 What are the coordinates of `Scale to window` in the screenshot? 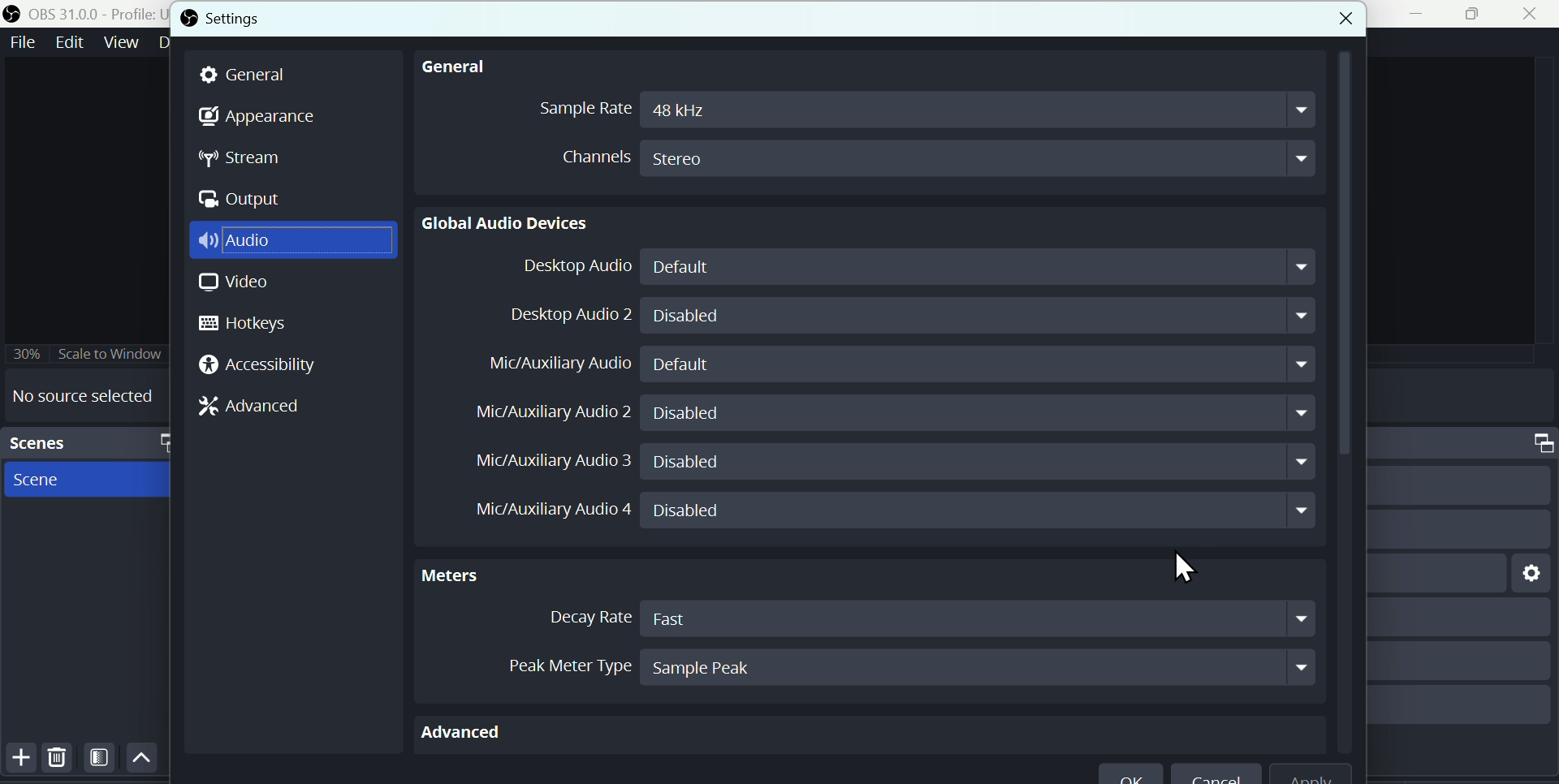 It's located at (113, 353).